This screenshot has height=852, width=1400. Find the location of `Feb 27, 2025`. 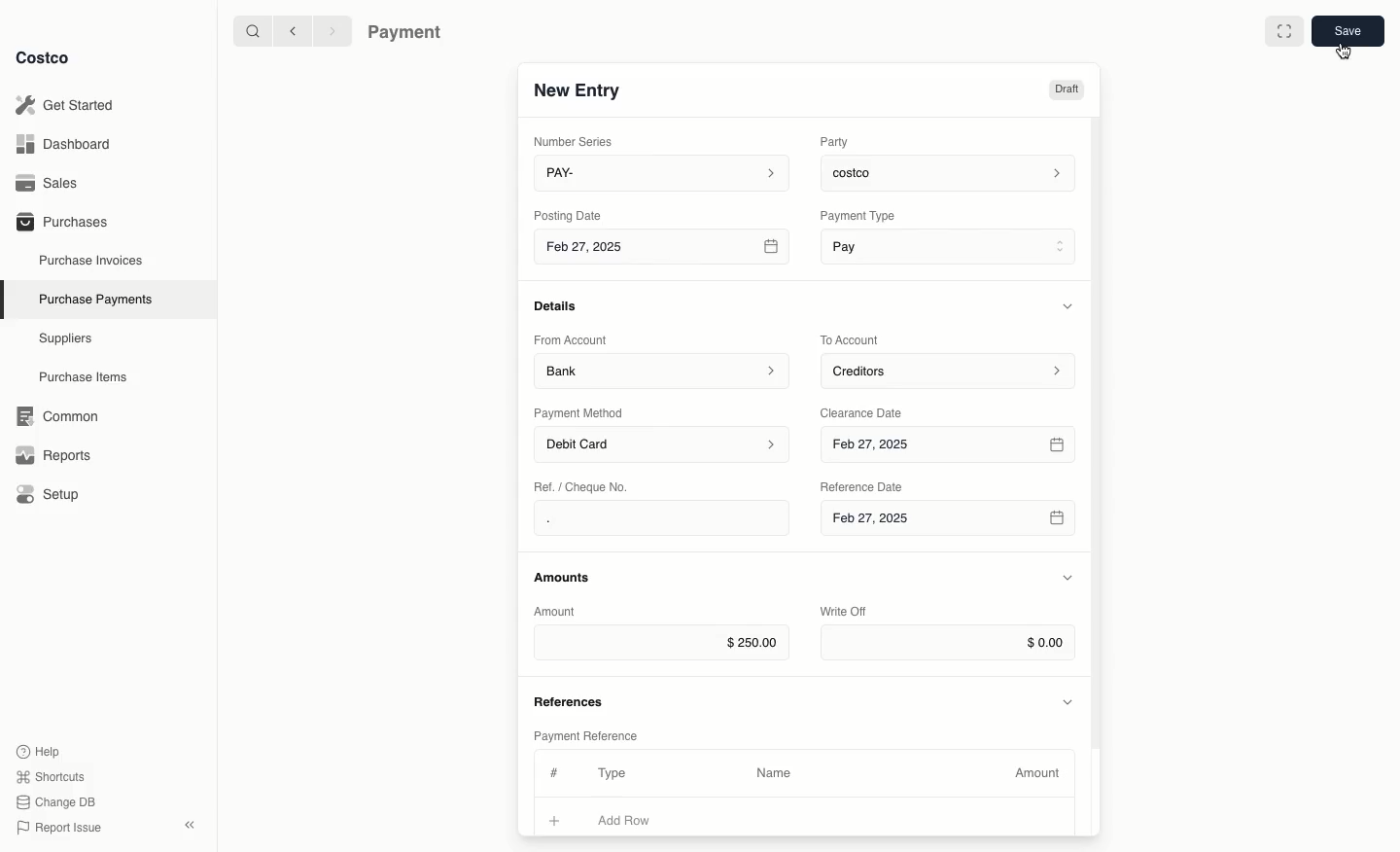

Feb 27, 2025 is located at coordinates (951, 445).